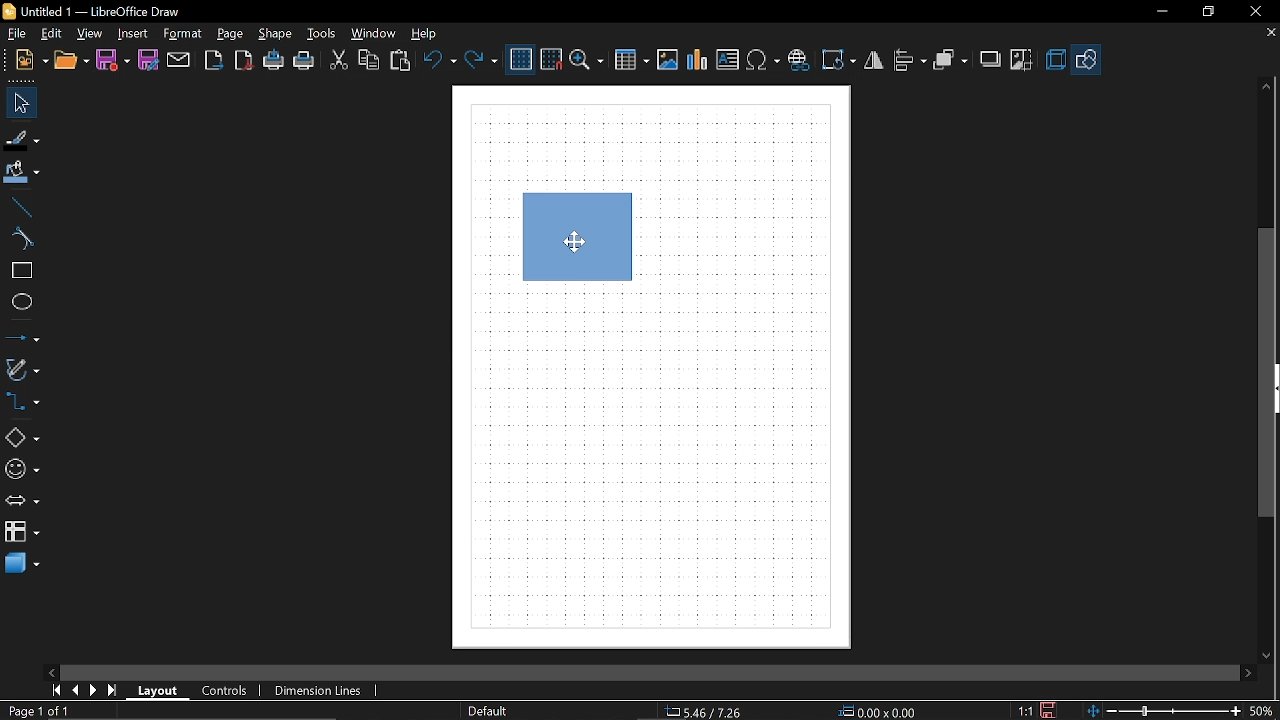 The height and width of the screenshot is (720, 1280). I want to click on insert table, so click(631, 61).